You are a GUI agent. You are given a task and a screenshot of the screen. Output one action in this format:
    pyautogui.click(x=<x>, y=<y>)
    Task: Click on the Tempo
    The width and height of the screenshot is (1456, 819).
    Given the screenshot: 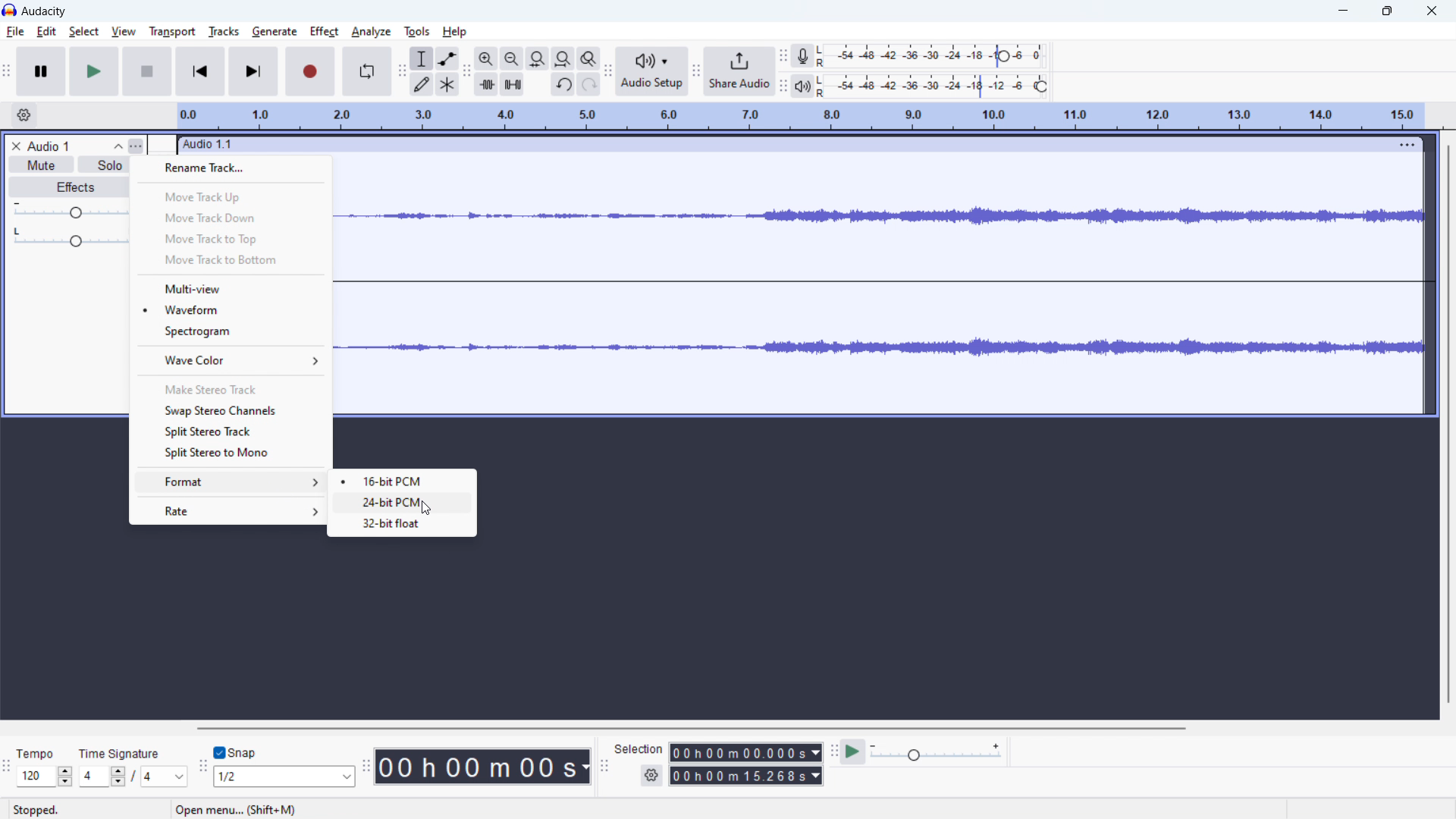 What is the action you would take?
    pyautogui.click(x=31, y=750)
    